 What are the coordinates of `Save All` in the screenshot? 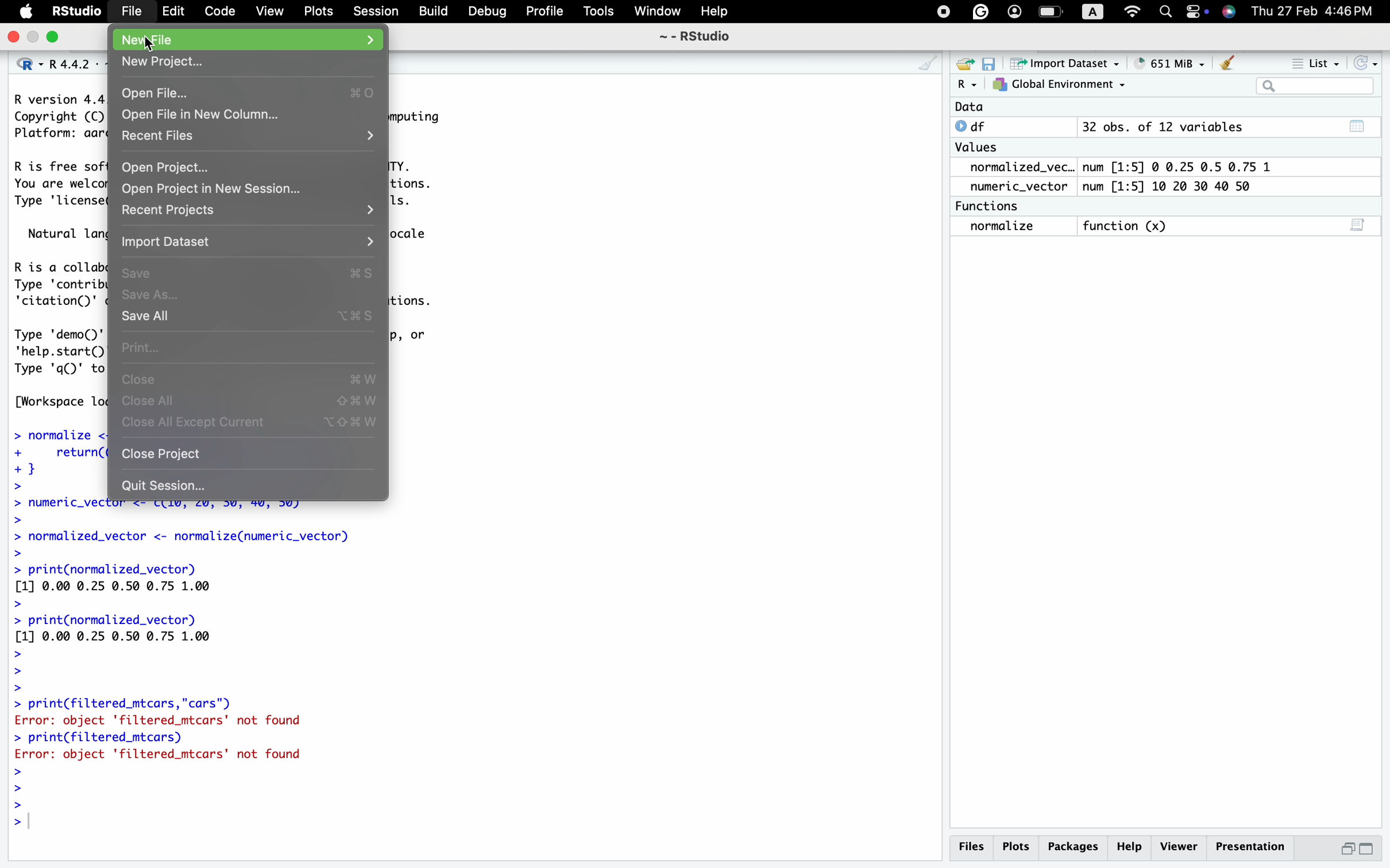 It's located at (236, 318).